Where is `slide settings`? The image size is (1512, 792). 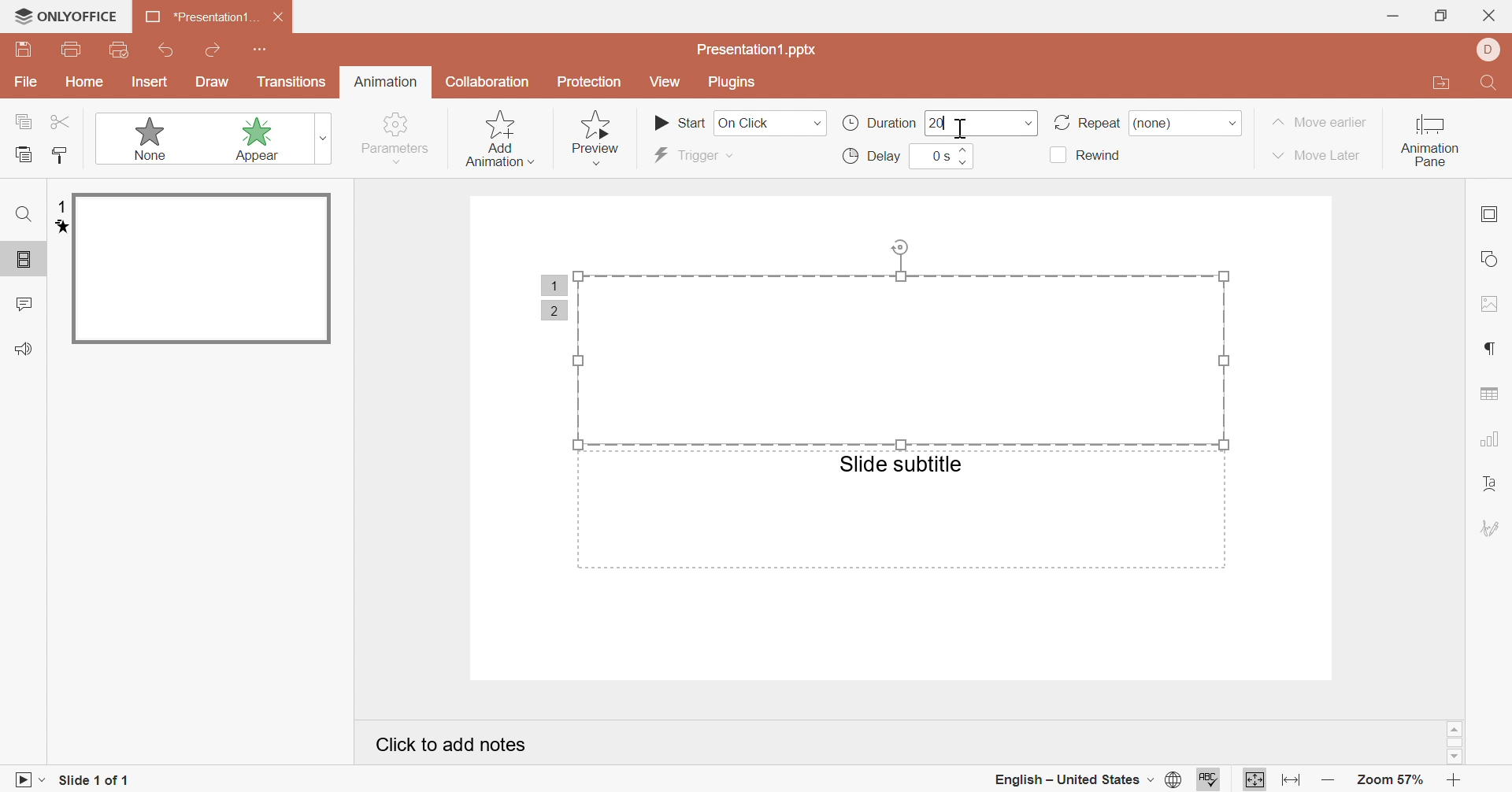
slide settings is located at coordinates (1488, 213).